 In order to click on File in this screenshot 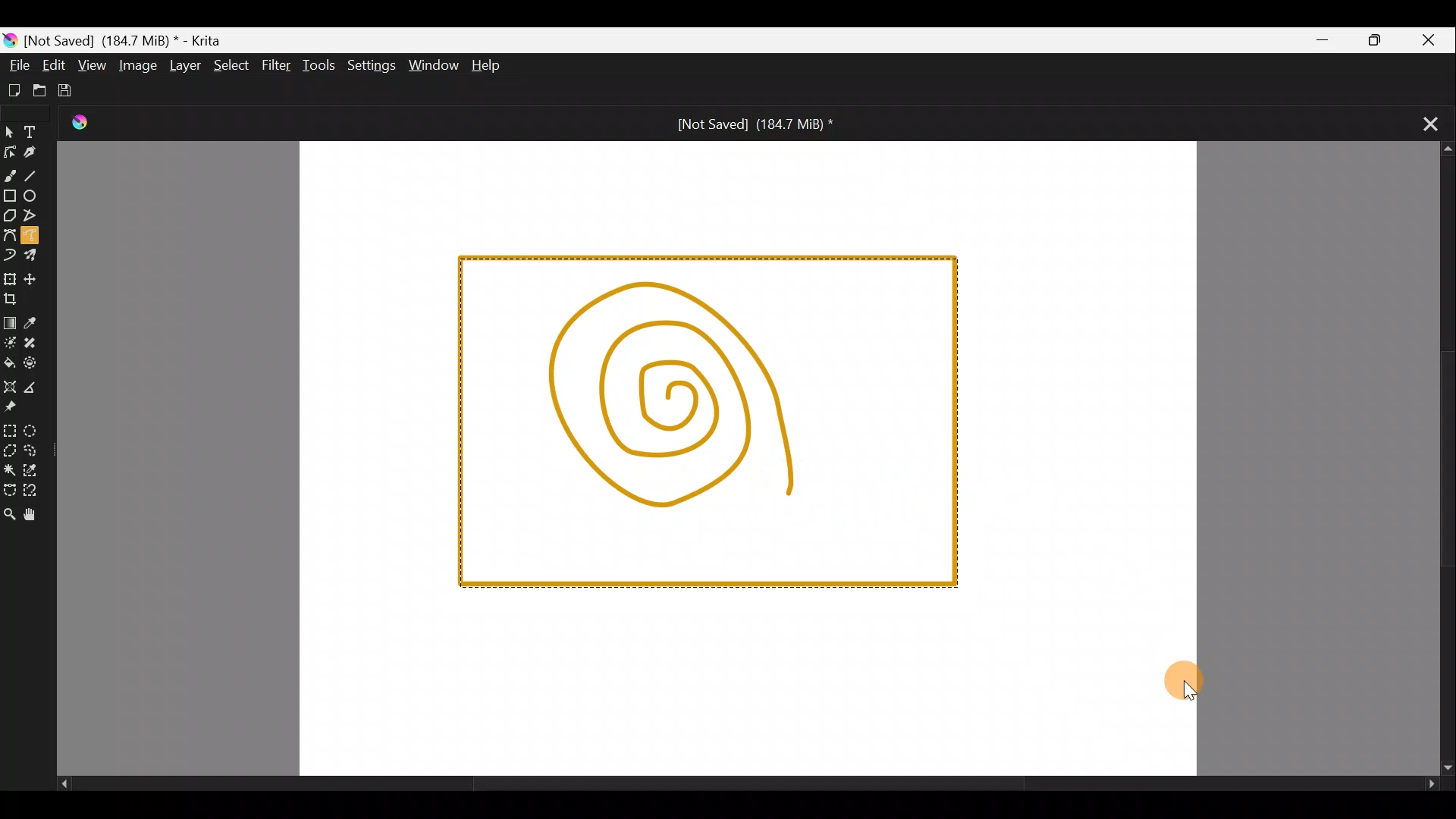, I will do `click(15, 64)`.